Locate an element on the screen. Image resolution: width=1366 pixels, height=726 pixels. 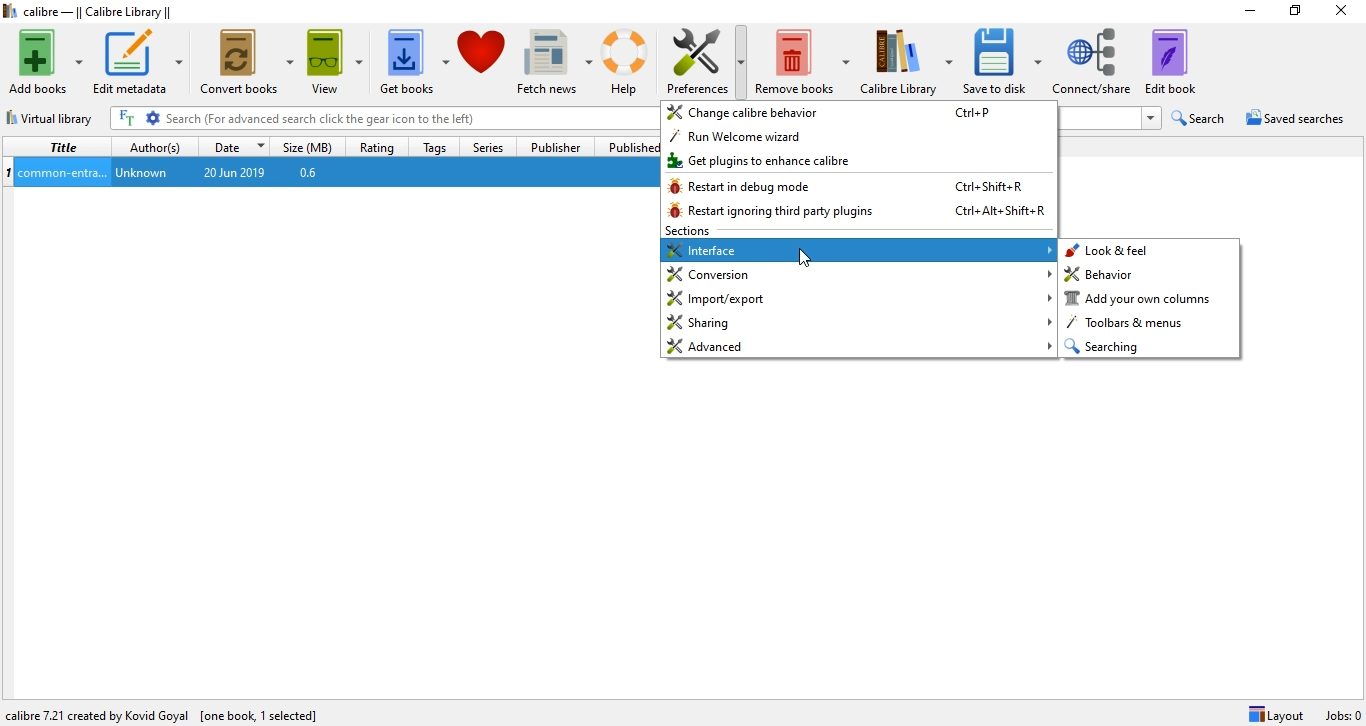
Configure calibre is located at coordinates (165, 711).